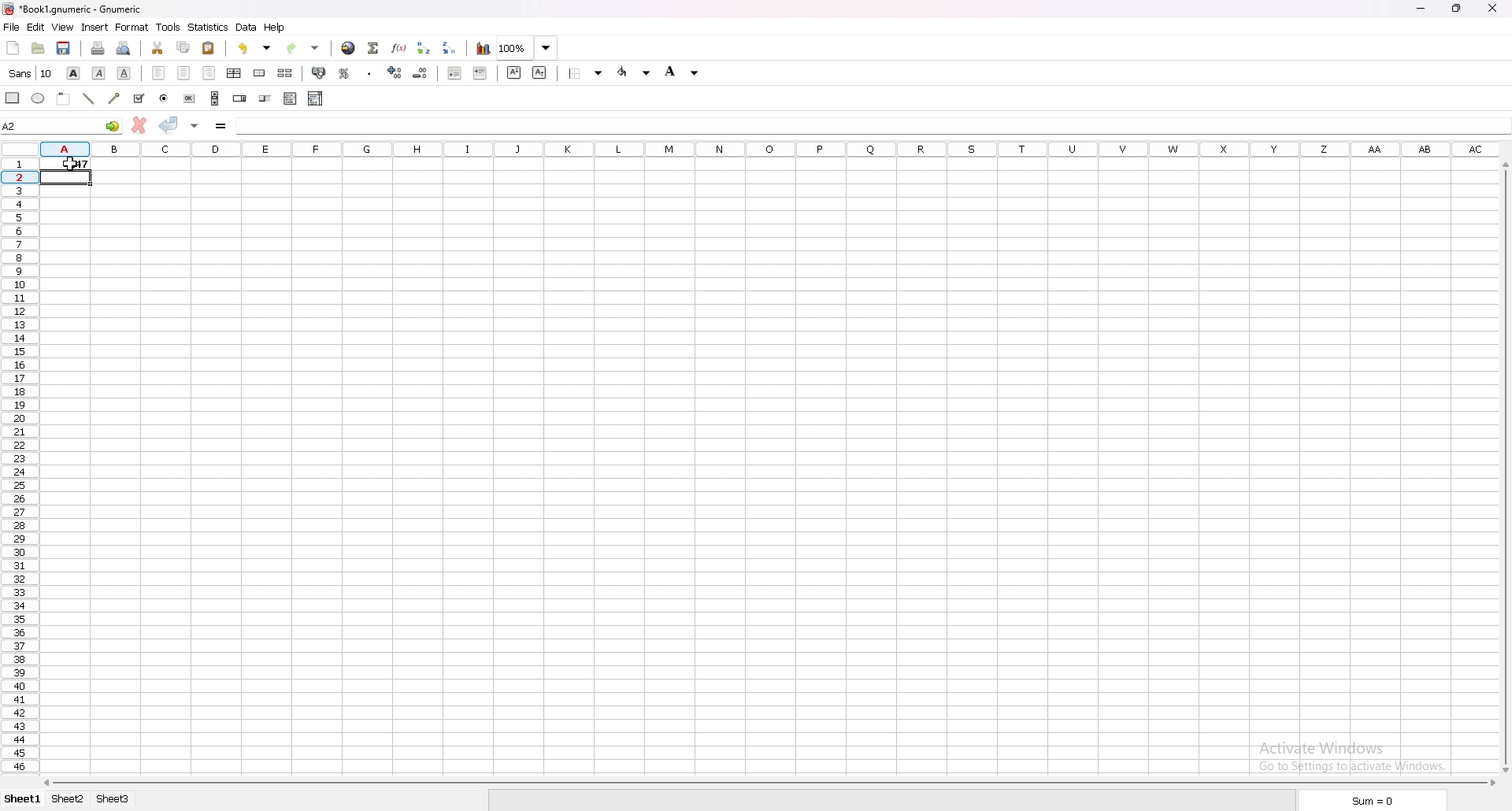  I want to click on sheet, so click(71, 799).